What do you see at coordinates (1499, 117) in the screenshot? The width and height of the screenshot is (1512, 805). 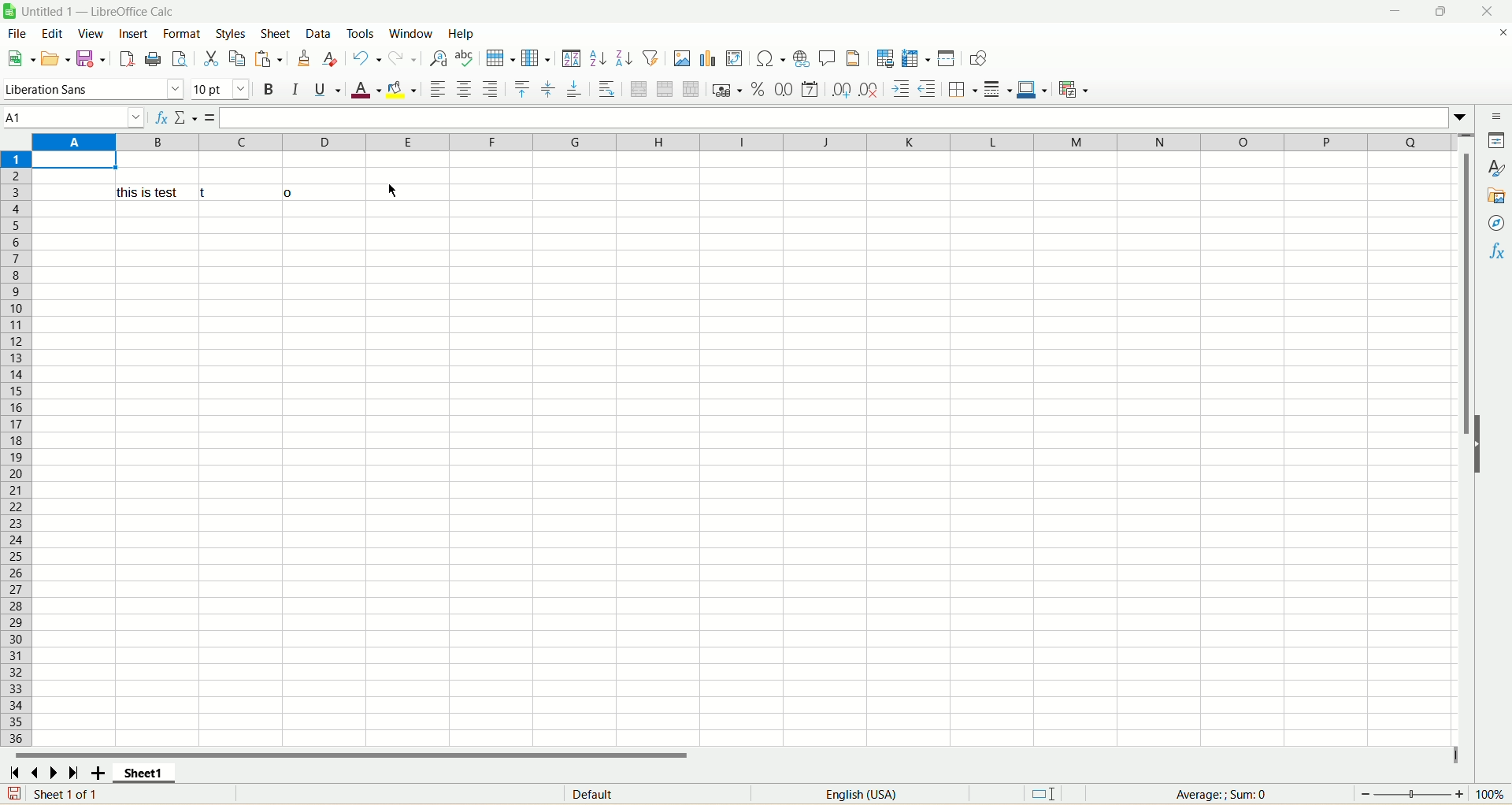 I see `sidebar` at bounding box center [1499, 117].